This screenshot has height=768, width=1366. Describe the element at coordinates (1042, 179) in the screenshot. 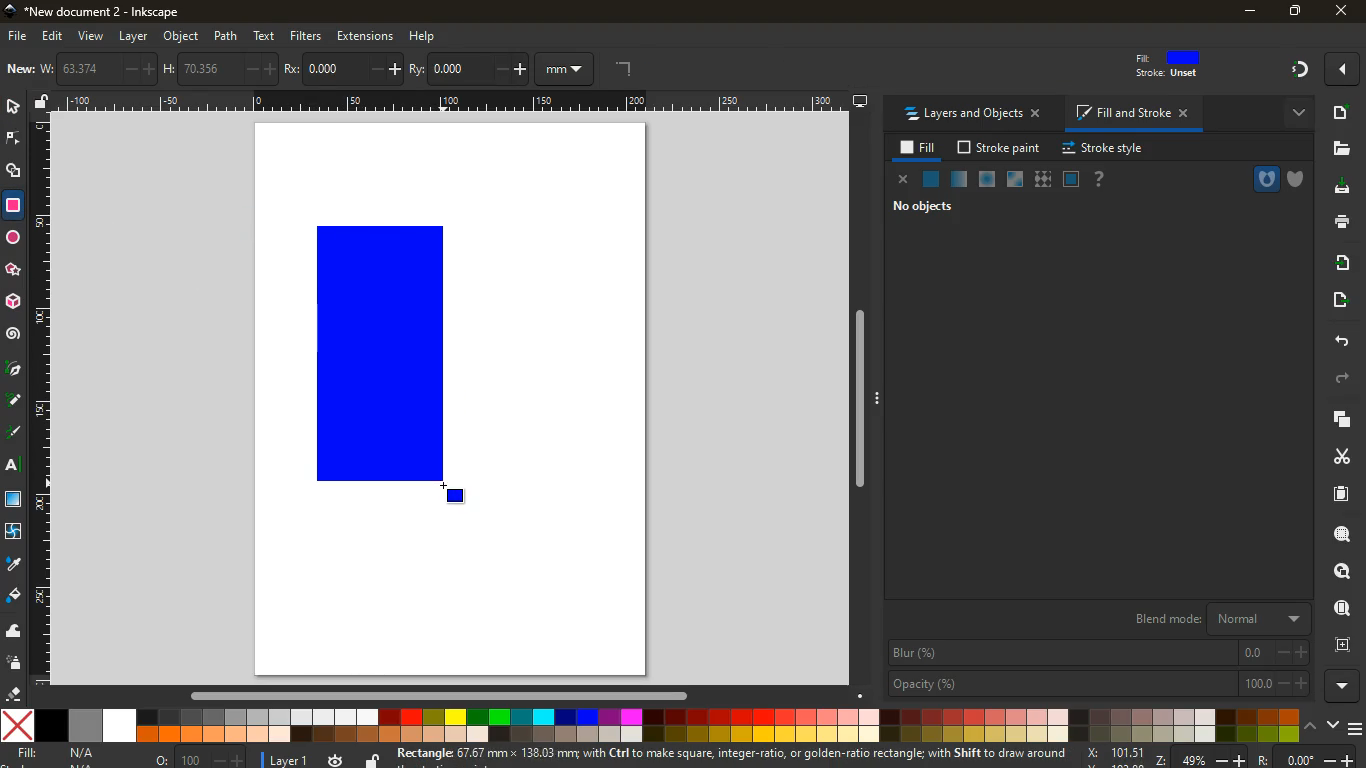

I see `texture` at that location.